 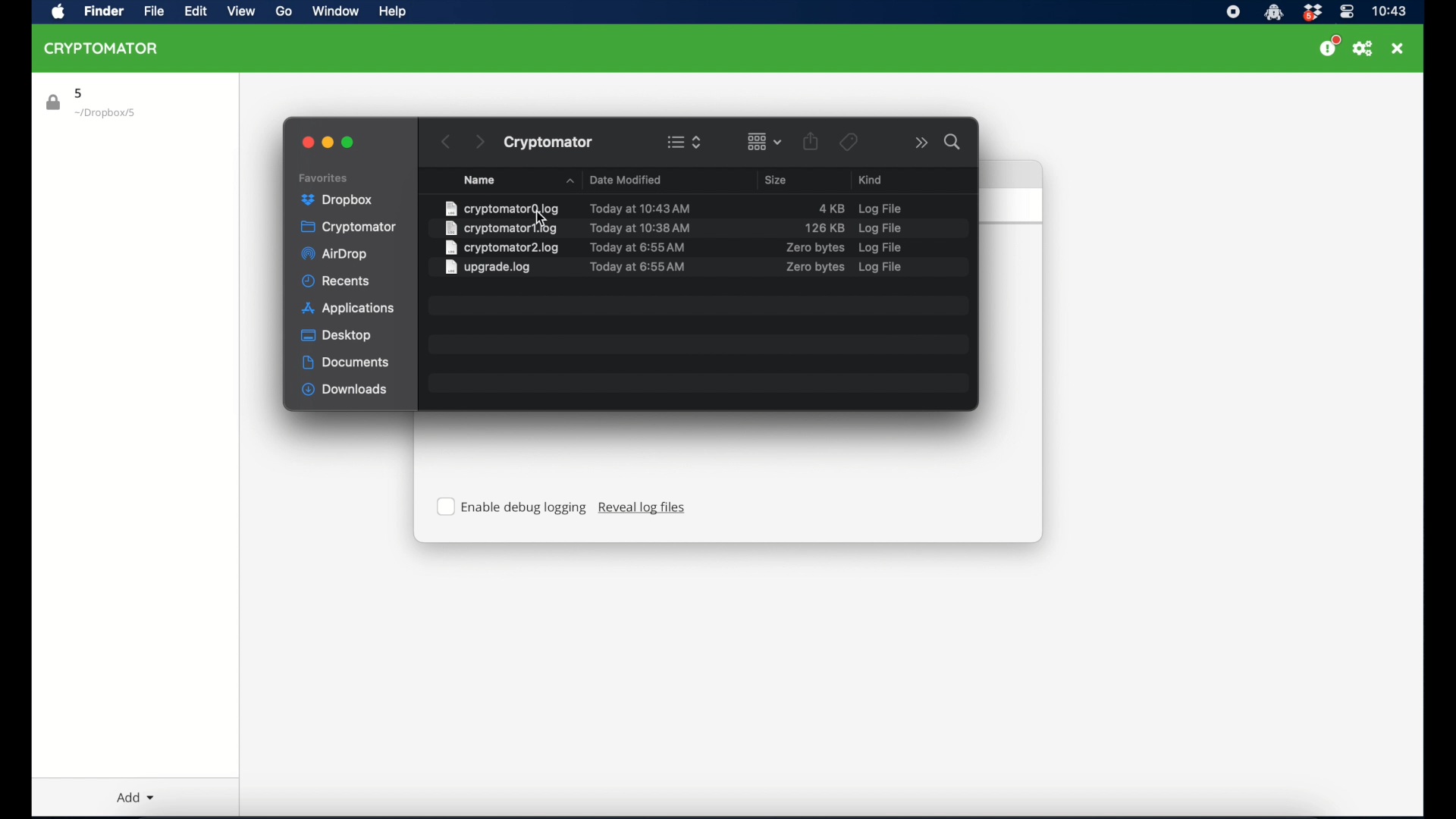 What do you see at coordinates (814, 247) in the screenshot?
I see `size` at bounding box center [814, 247].